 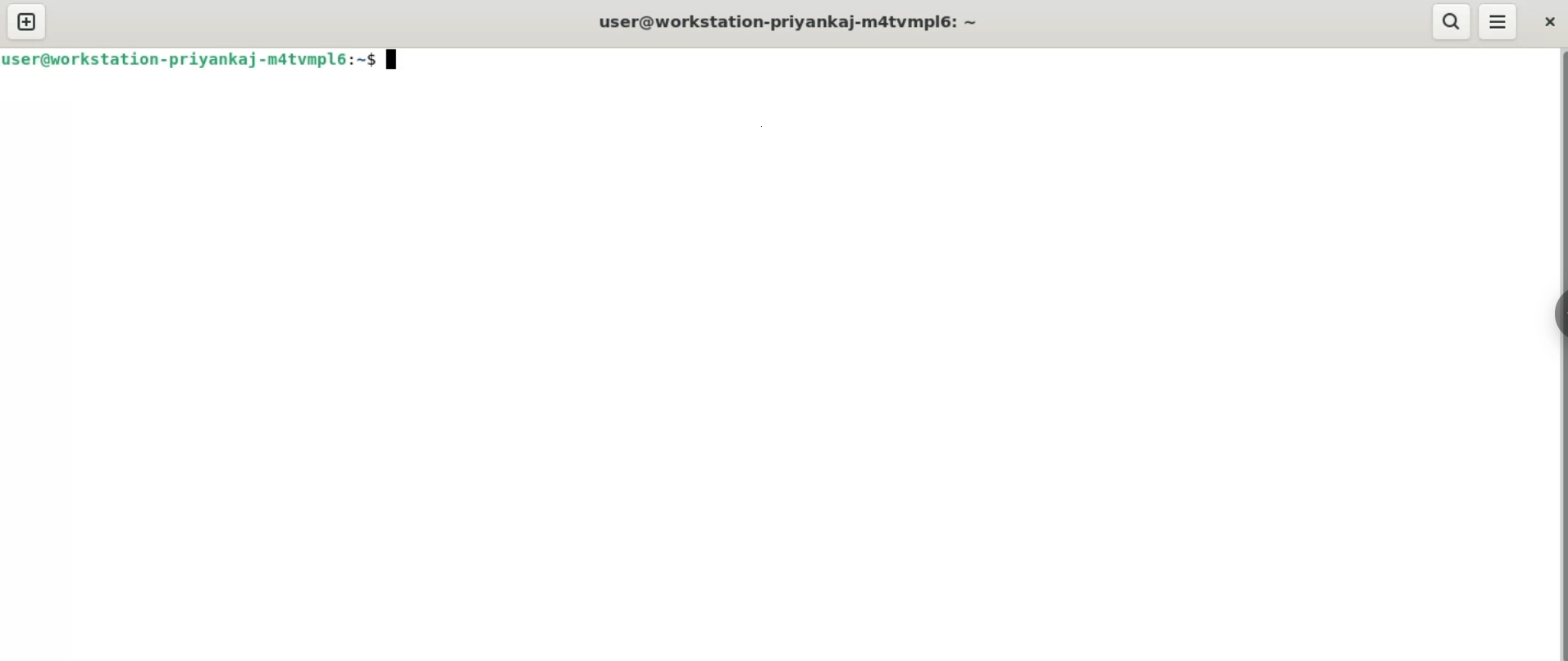 What do you see at coordinates (1496, 21) in the screenshot?
I see `menu` at bounding box center [1496, 21].